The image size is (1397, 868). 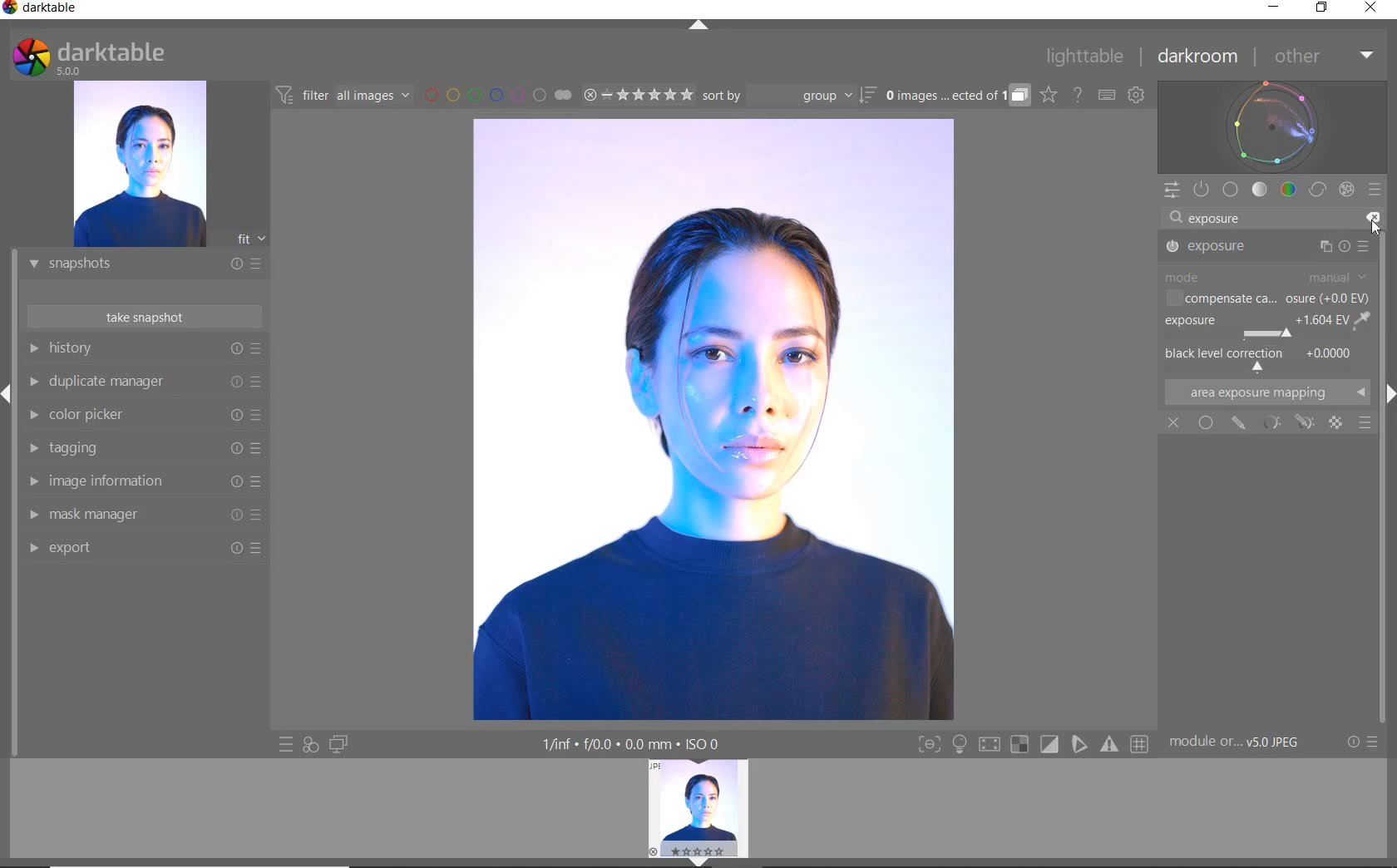 What do you see at coordinates (139, 165) in the screenshot?
I see `IMAGE PREVIEW` at bounding box center [139, 165].